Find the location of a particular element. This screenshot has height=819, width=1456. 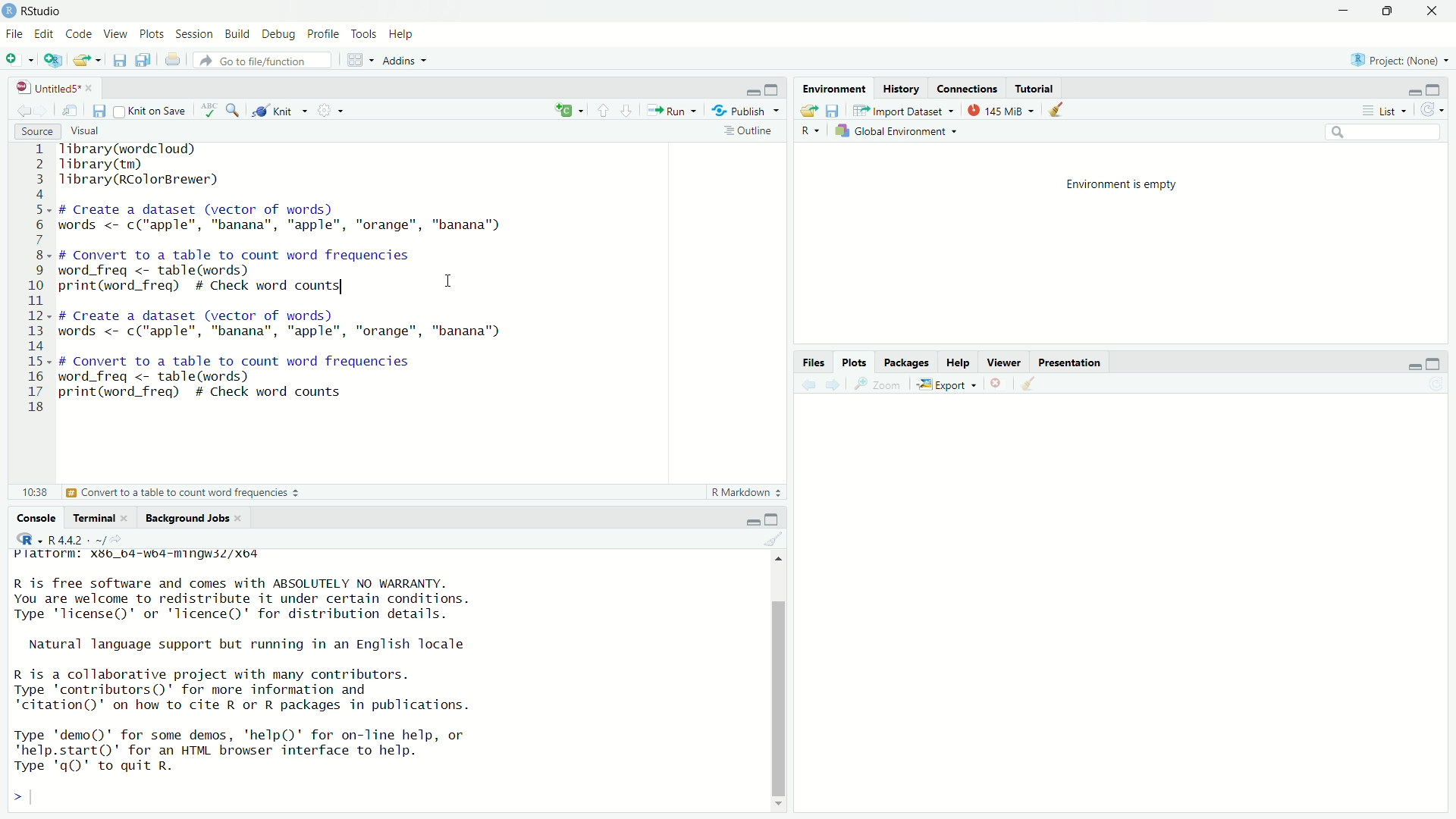

Maximize is located at coordinates (1389, 12).